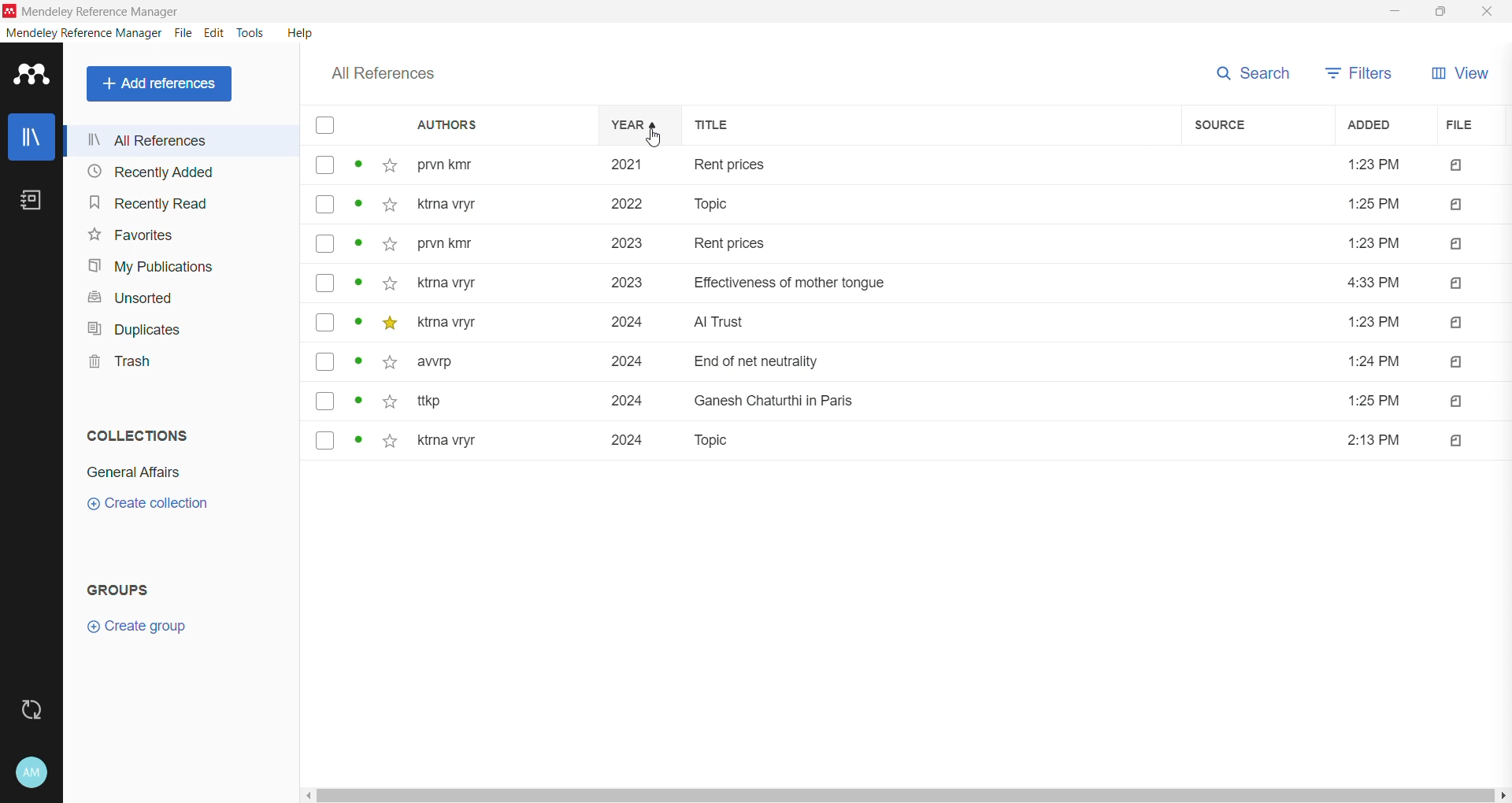 The width and height of the screenshot is (1512, 803). I want to click on click to add to favorites, so click(390, 361).